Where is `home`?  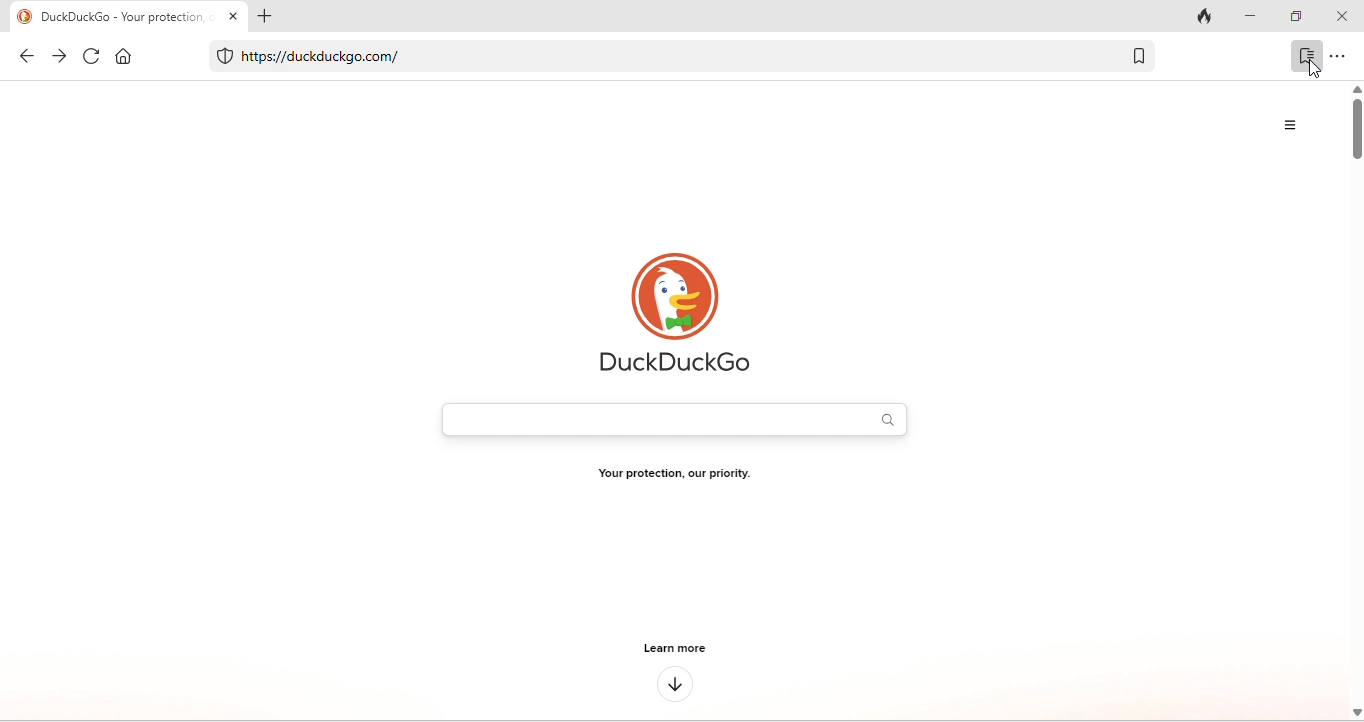
home is located at coordinates (122, 59).